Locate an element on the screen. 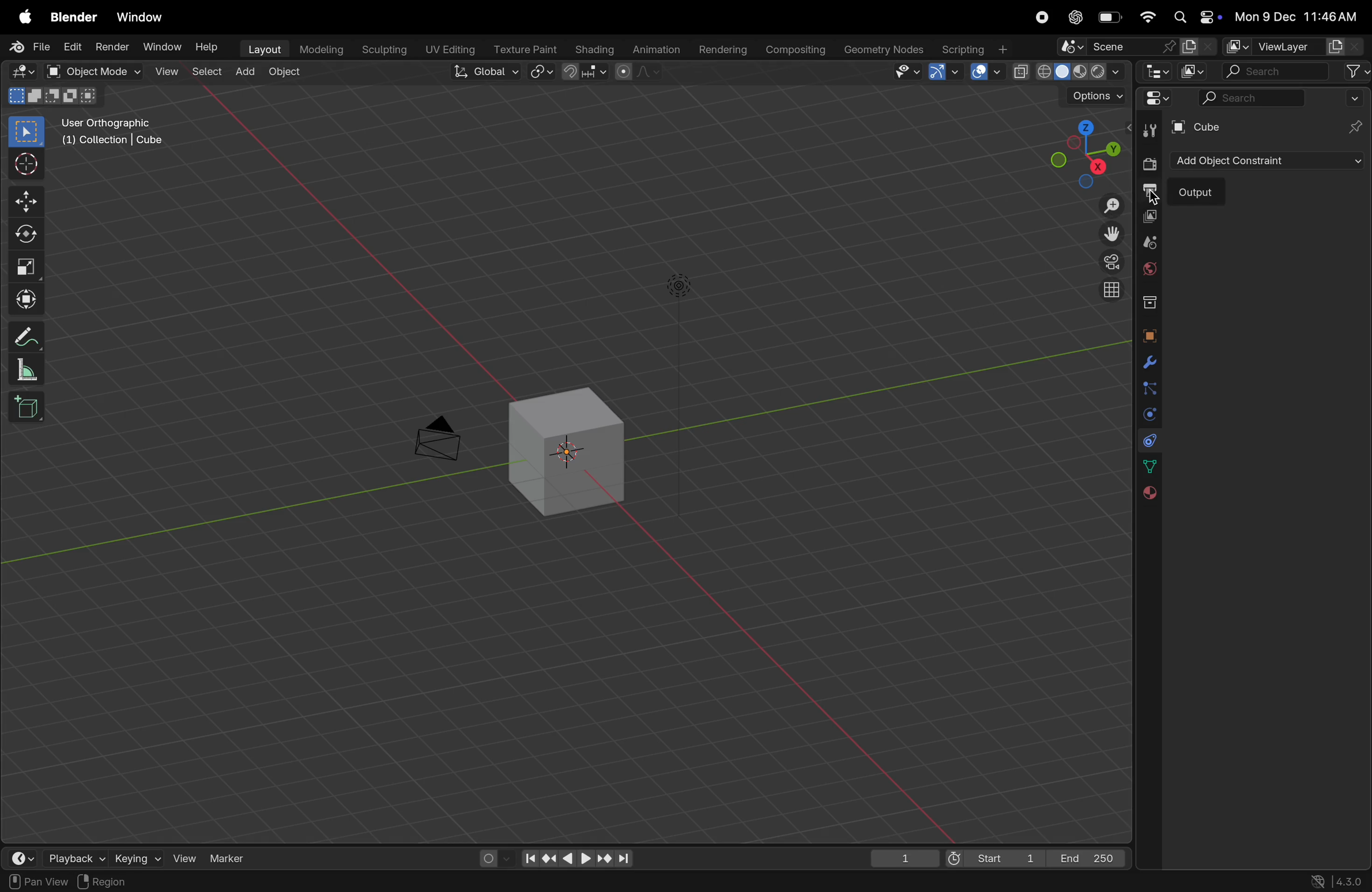 This screenshot has width=1372, height=892. window is located at coordinates (139, 17).